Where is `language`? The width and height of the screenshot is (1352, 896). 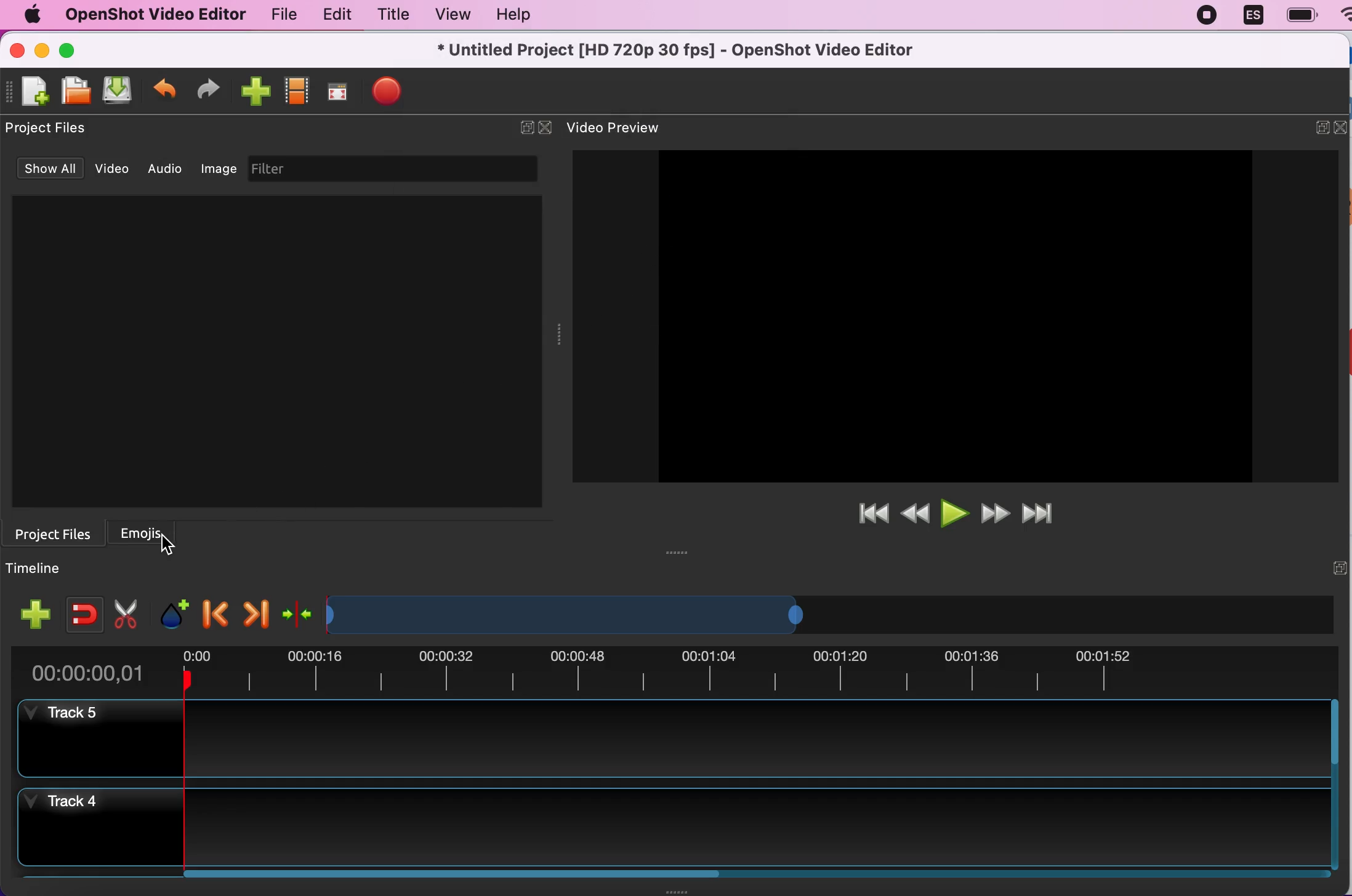
language is located at coordinates (1248, 15).